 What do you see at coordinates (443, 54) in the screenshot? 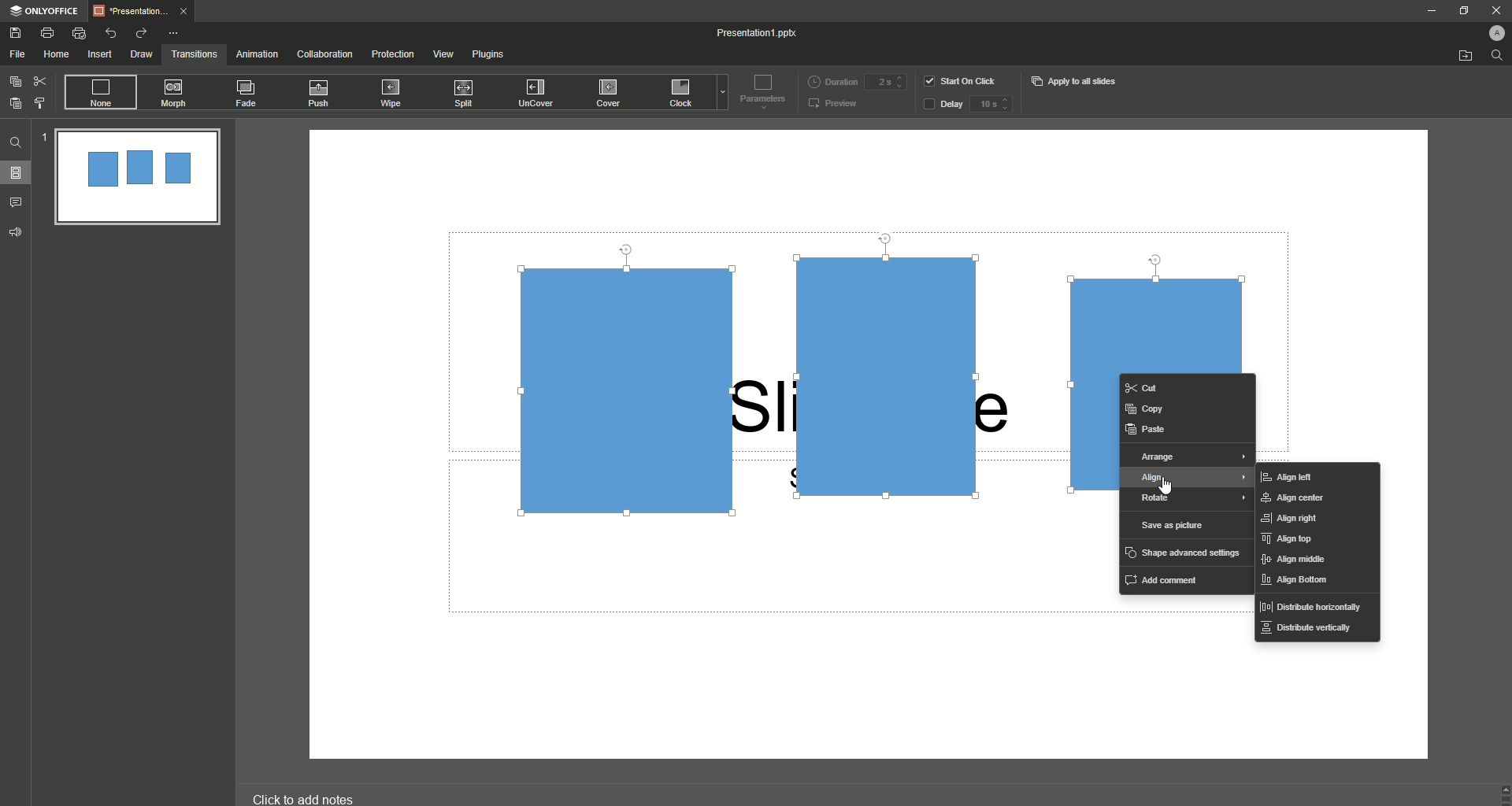
I see `View` at bounding box center [443, 54].